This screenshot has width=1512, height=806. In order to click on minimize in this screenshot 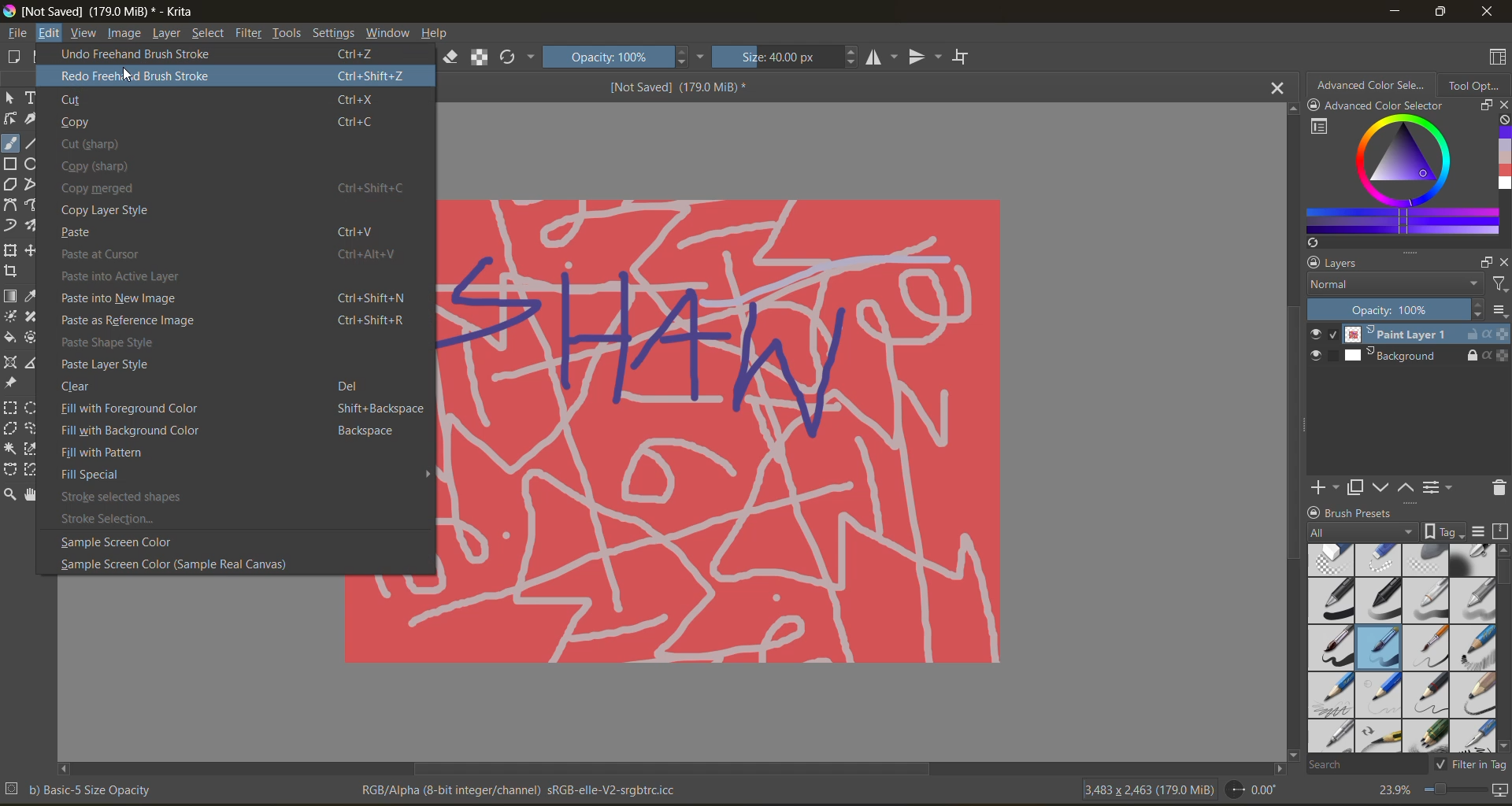, I will do `click(1394, 11)`.